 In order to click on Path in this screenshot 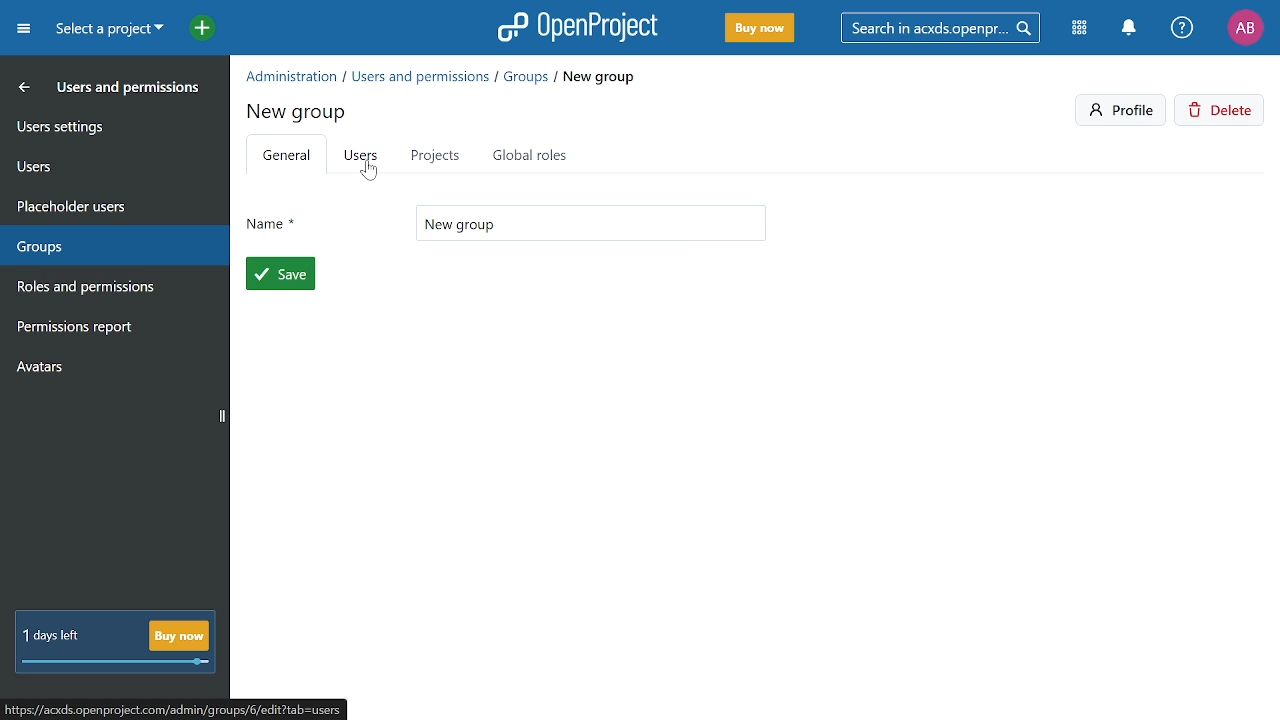, I will do `click(442, 75)`.